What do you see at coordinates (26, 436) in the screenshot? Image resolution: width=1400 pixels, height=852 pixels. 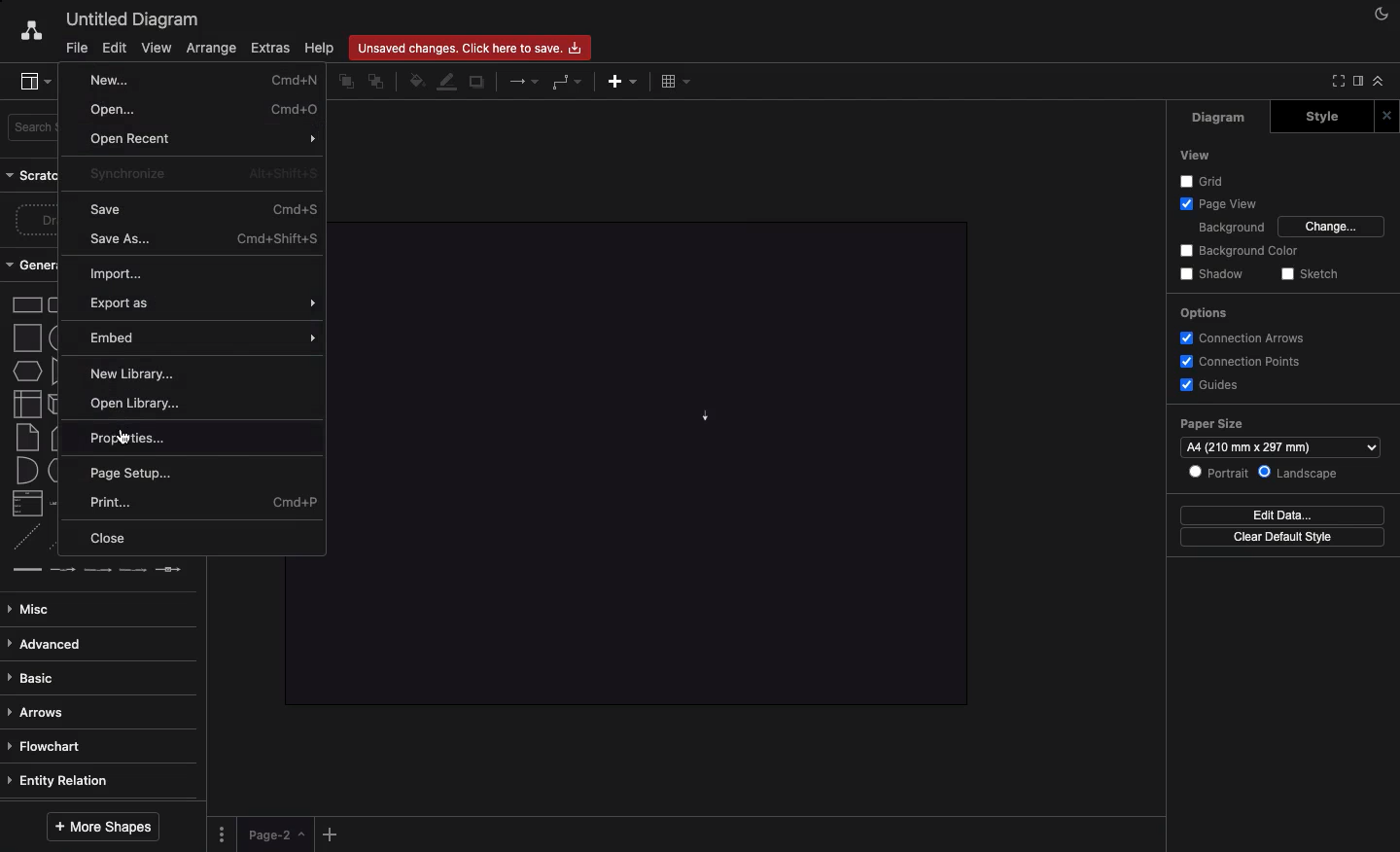 I see `Shapes` at bounding box center [26, 436].